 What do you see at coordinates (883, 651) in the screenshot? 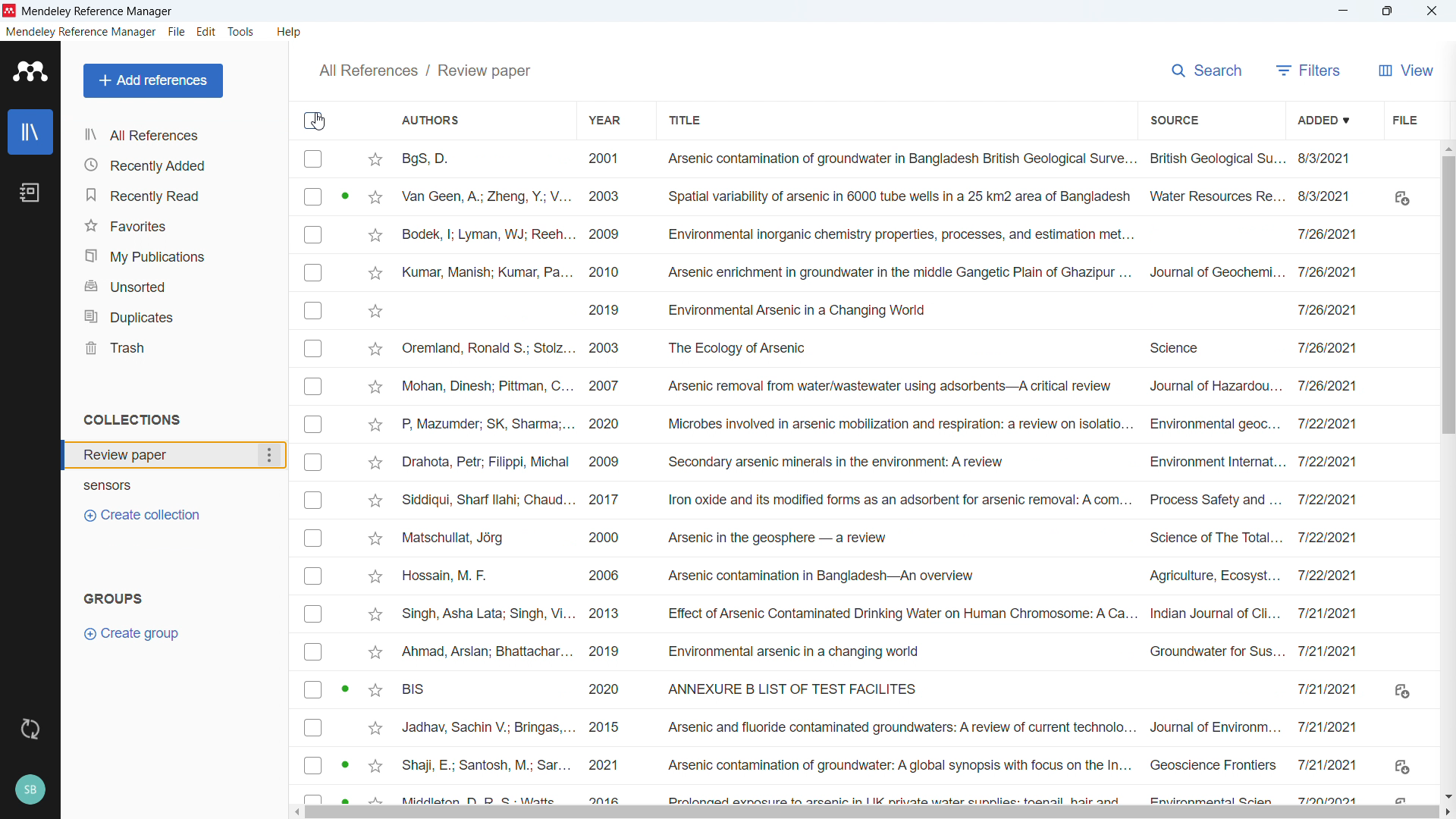
I see `Praveen, Prashant; Loh, K... 2013 Simultaneous extraction and biodegradation of phenol in a hollow fiber suppo... Journal of Membran... 10/22/2024` at bounding box center [883, 651].